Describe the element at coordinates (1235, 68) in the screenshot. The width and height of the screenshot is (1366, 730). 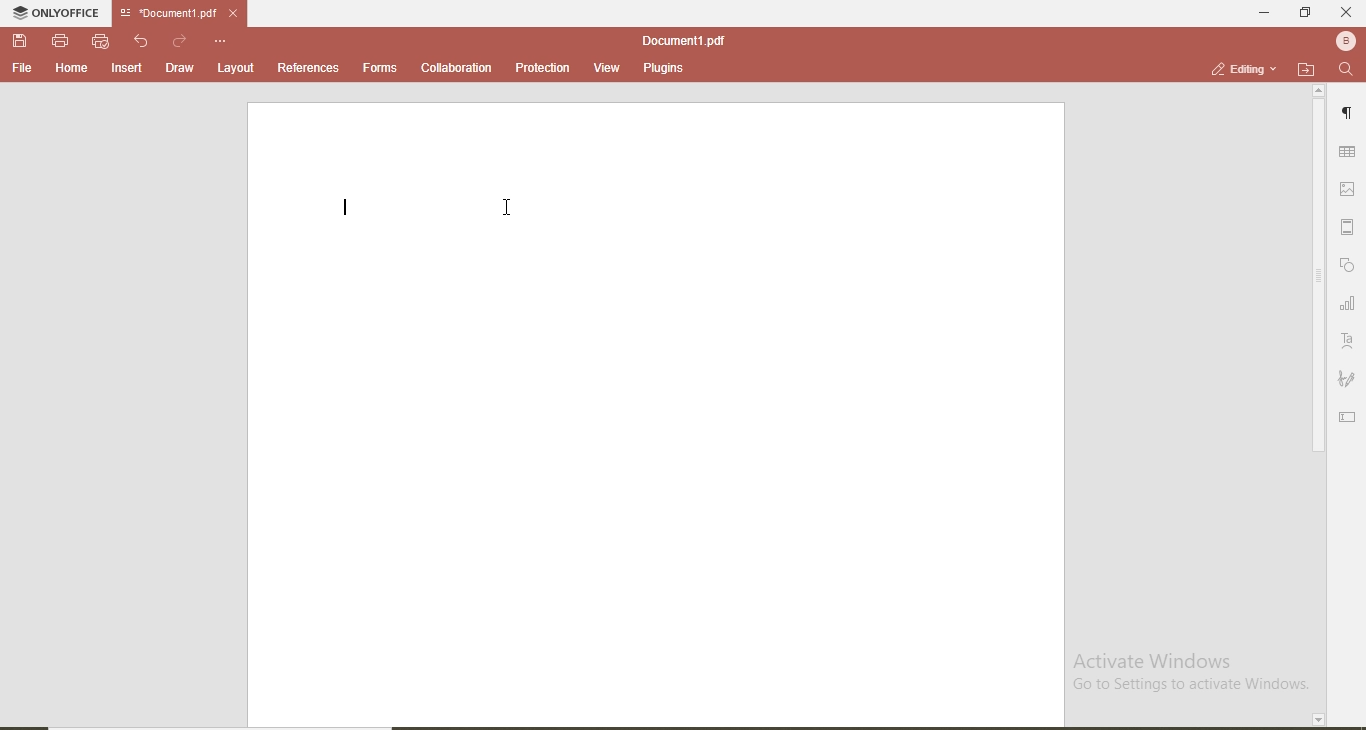
I see `editing` at that location.